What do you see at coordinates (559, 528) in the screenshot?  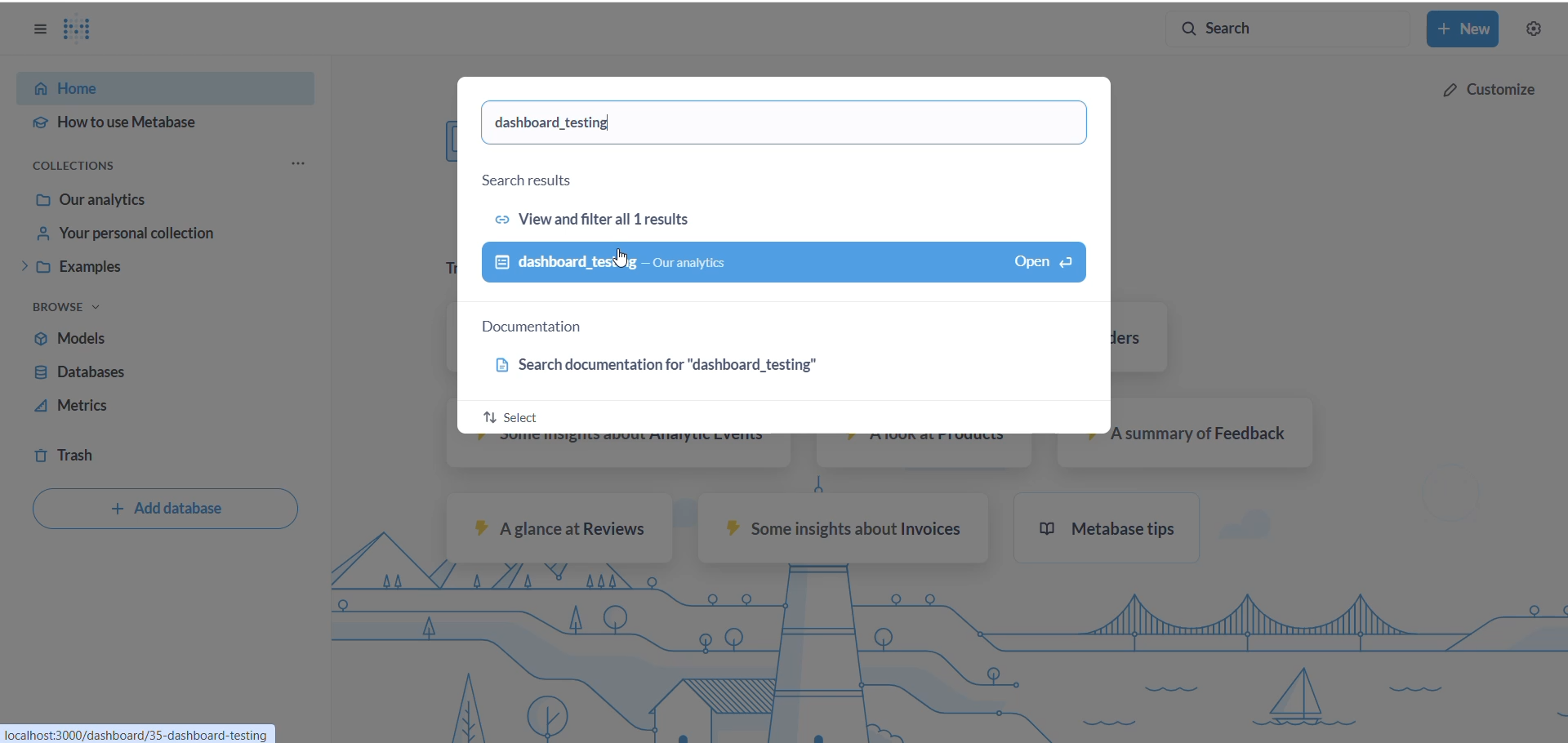 I see `A glance at reviews sample` at bounding box center [559, 528].